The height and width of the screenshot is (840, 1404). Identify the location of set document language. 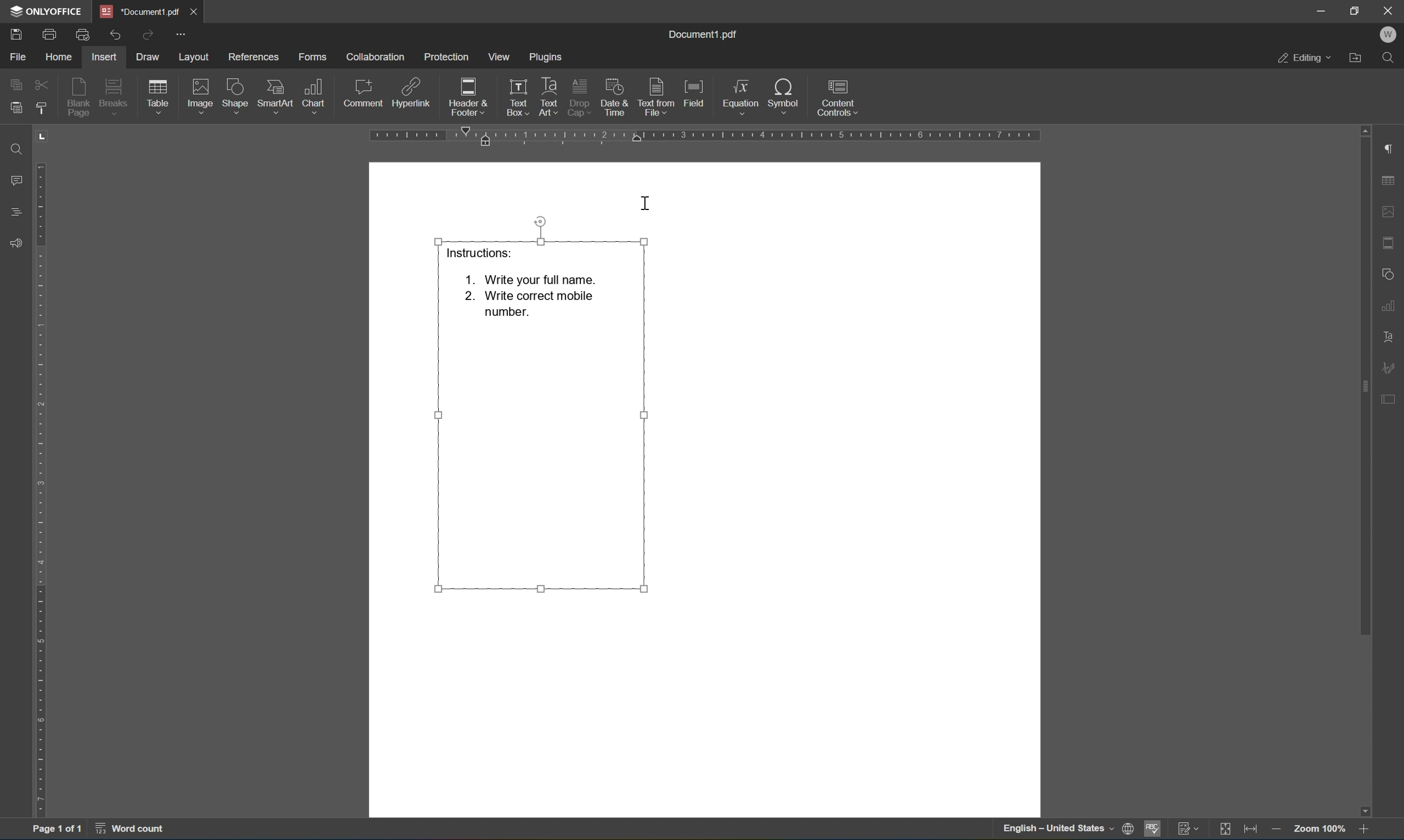
(1129, 828).